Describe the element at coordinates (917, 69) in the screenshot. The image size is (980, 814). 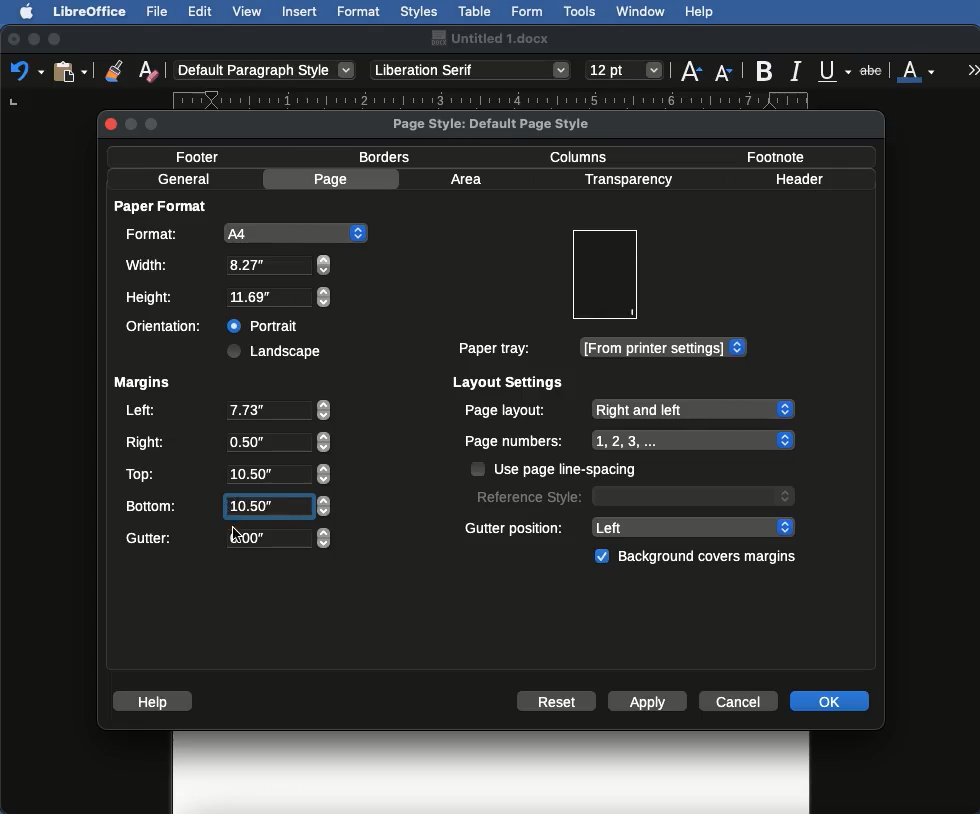
I see `Font color` at that location.